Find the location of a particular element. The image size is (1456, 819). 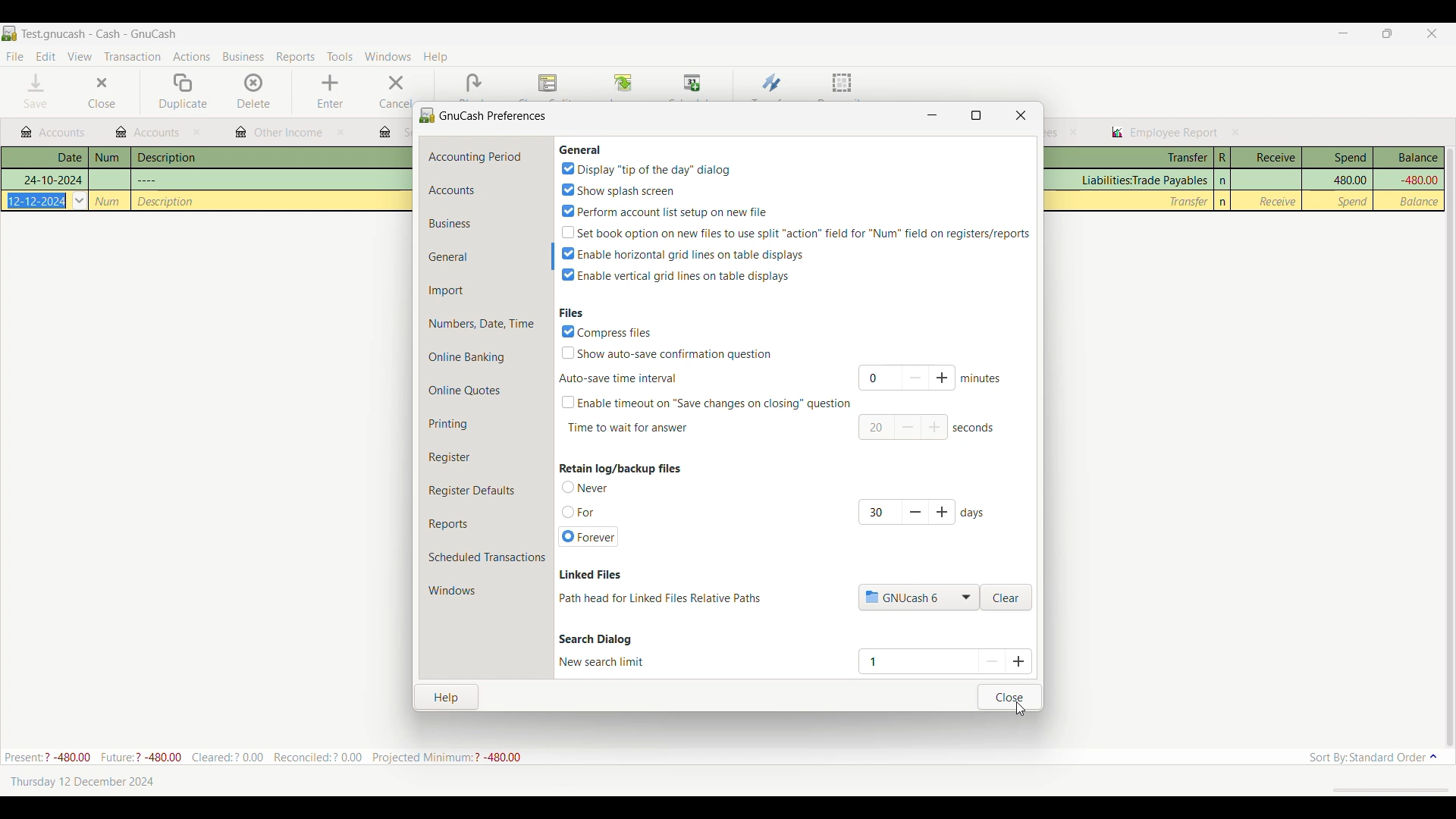

Location options is located at coordinates (919, 597).